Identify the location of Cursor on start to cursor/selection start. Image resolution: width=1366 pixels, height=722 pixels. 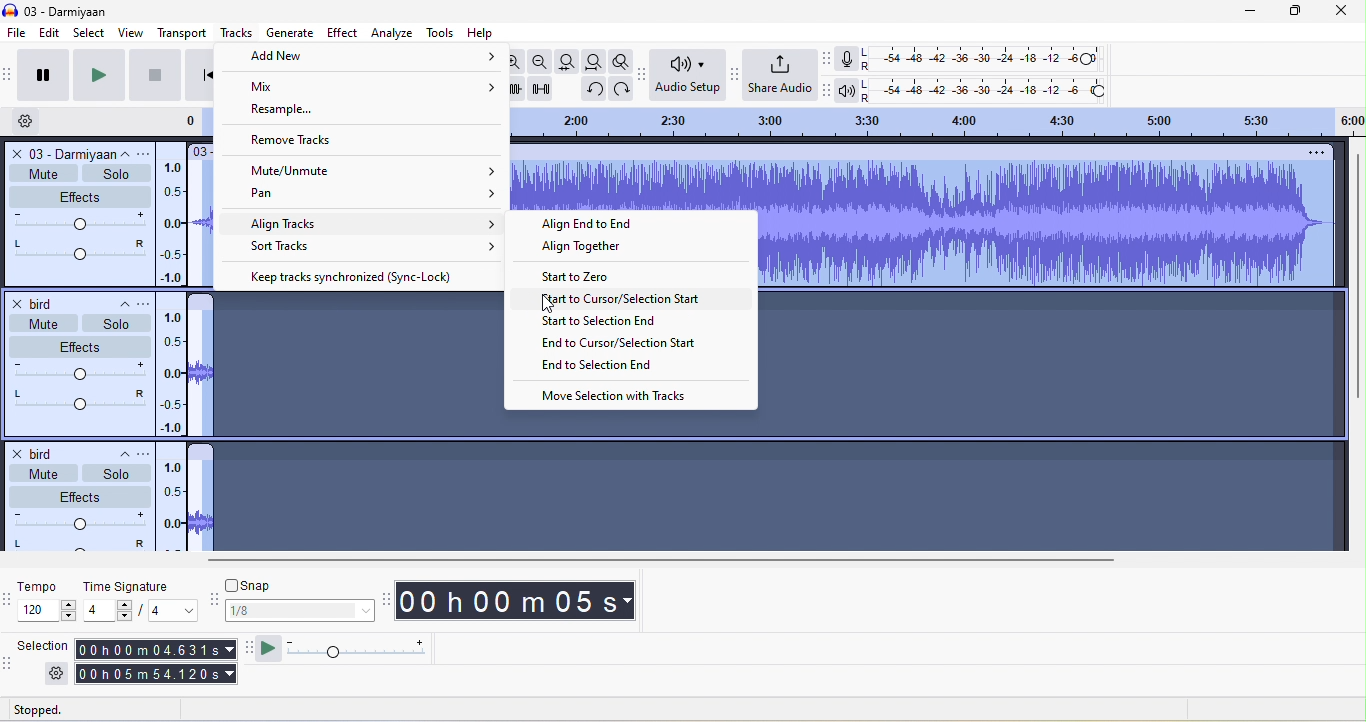
(632, 302).